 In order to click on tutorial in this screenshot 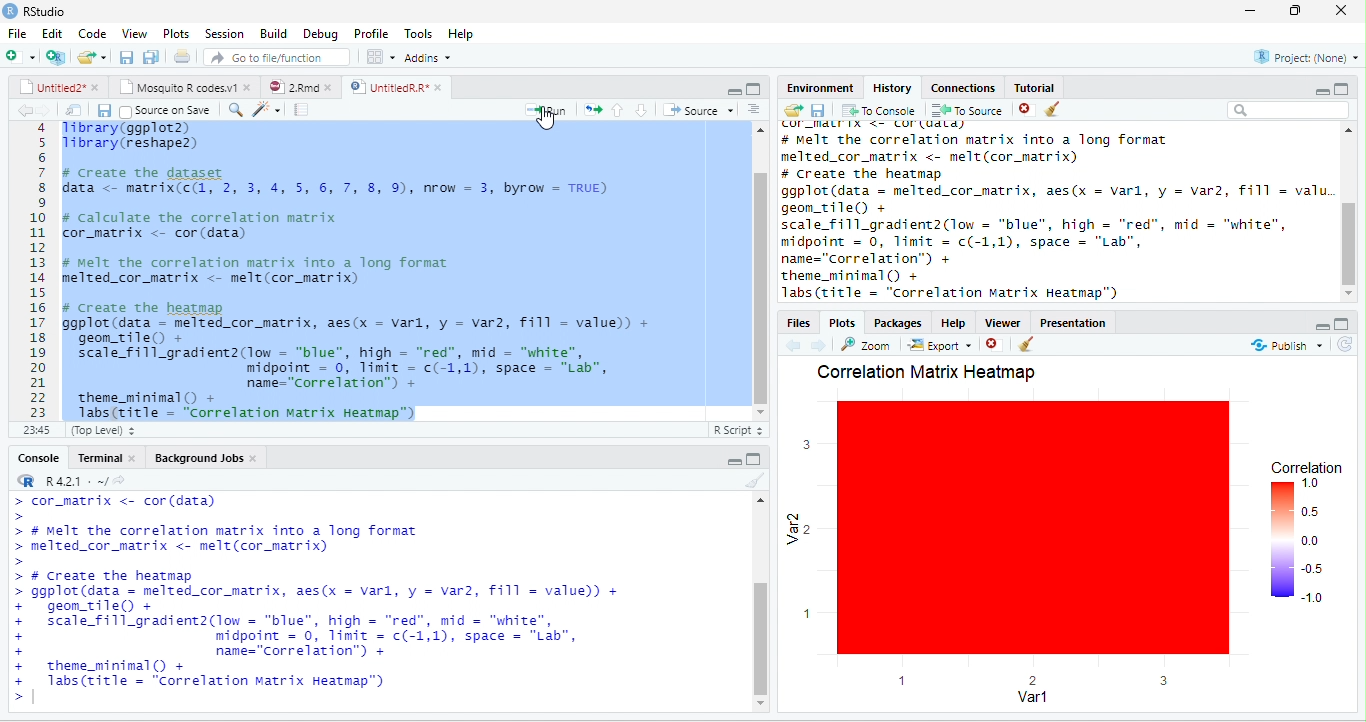, I will do `click(1062, 86)`.